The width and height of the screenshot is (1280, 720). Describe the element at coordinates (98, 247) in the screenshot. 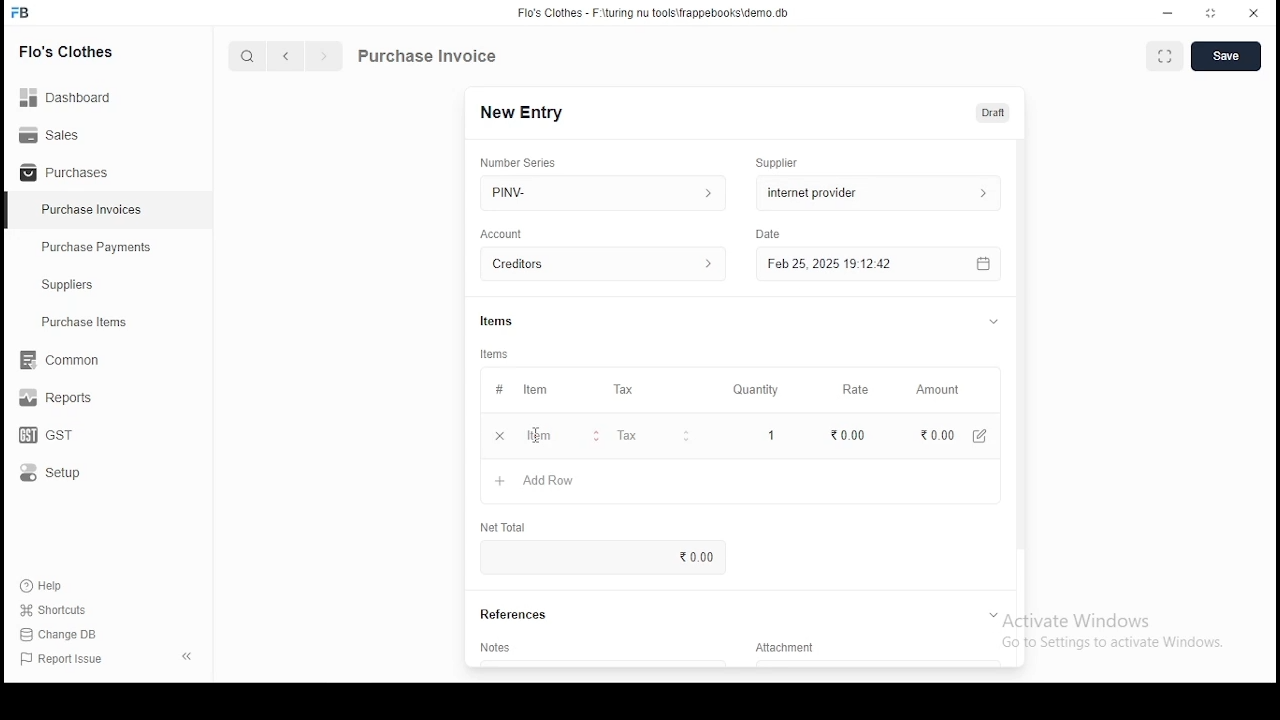

I see `‘Purchase Payments` at that location.